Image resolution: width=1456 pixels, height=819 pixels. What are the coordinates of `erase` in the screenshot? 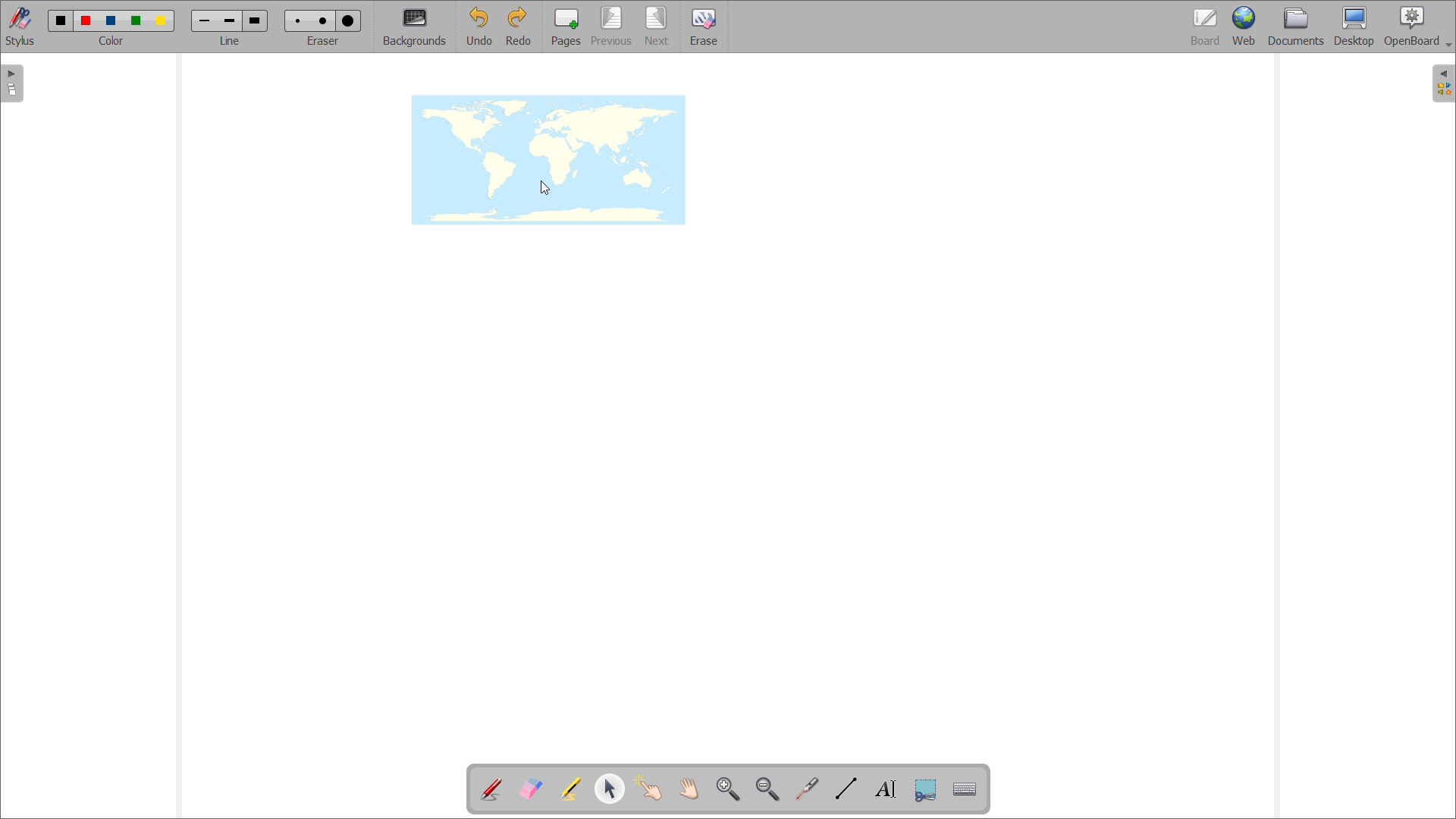 It's located at (704, 27).